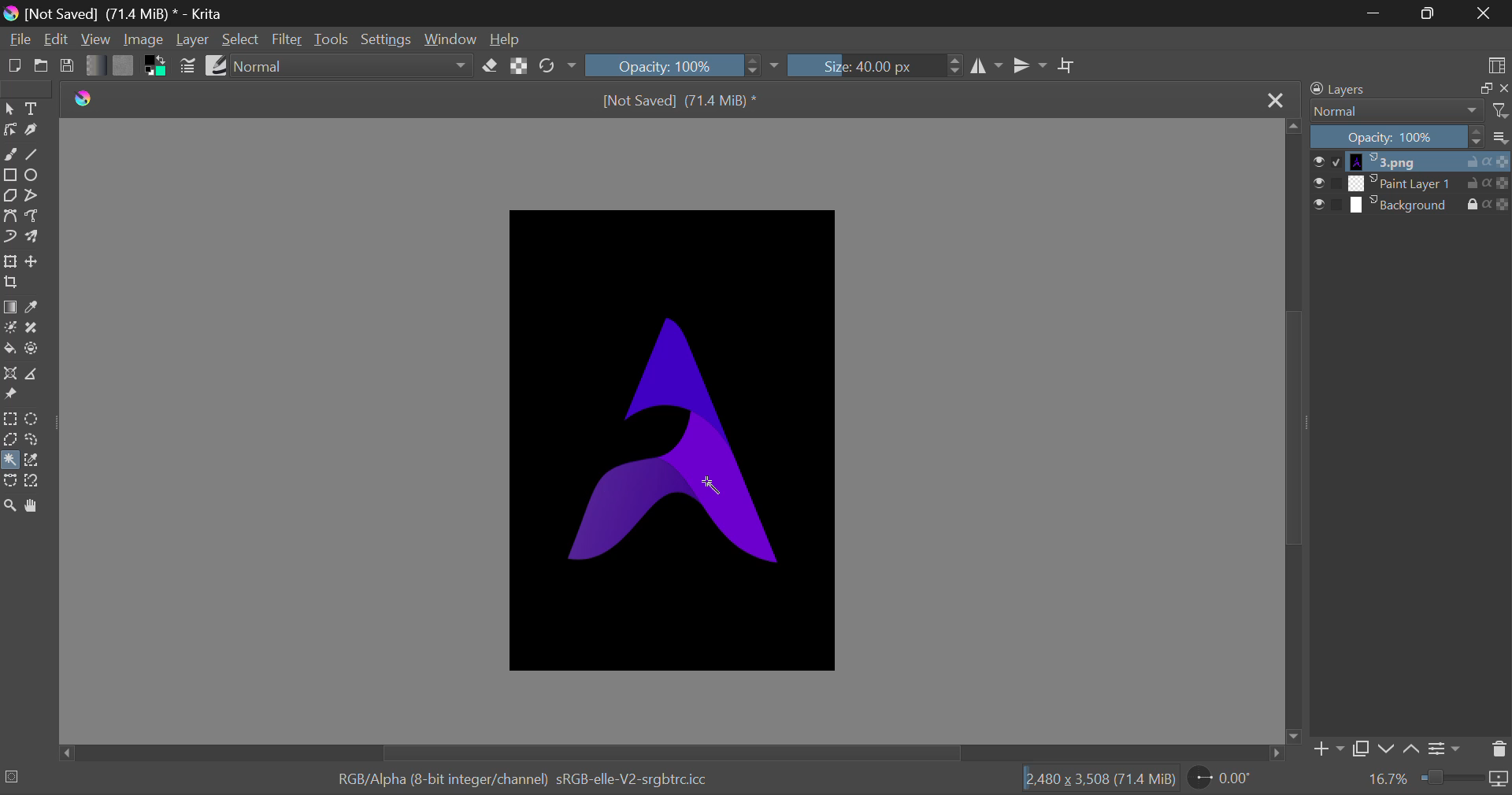  Describe the element at coordinates (37, 195) in the screenshot. I see `Polyline` at that location.